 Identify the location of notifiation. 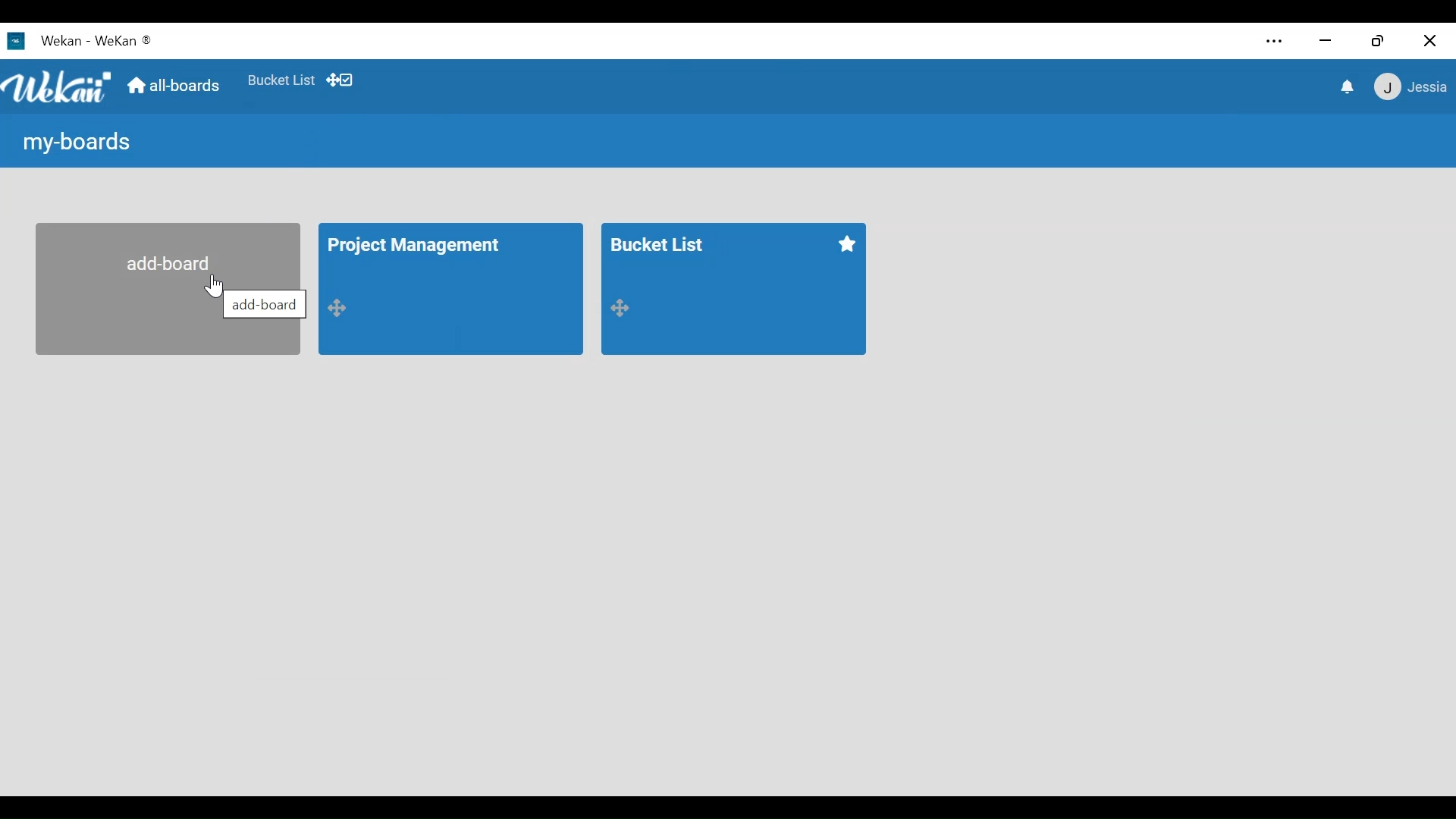
(1345, 87).